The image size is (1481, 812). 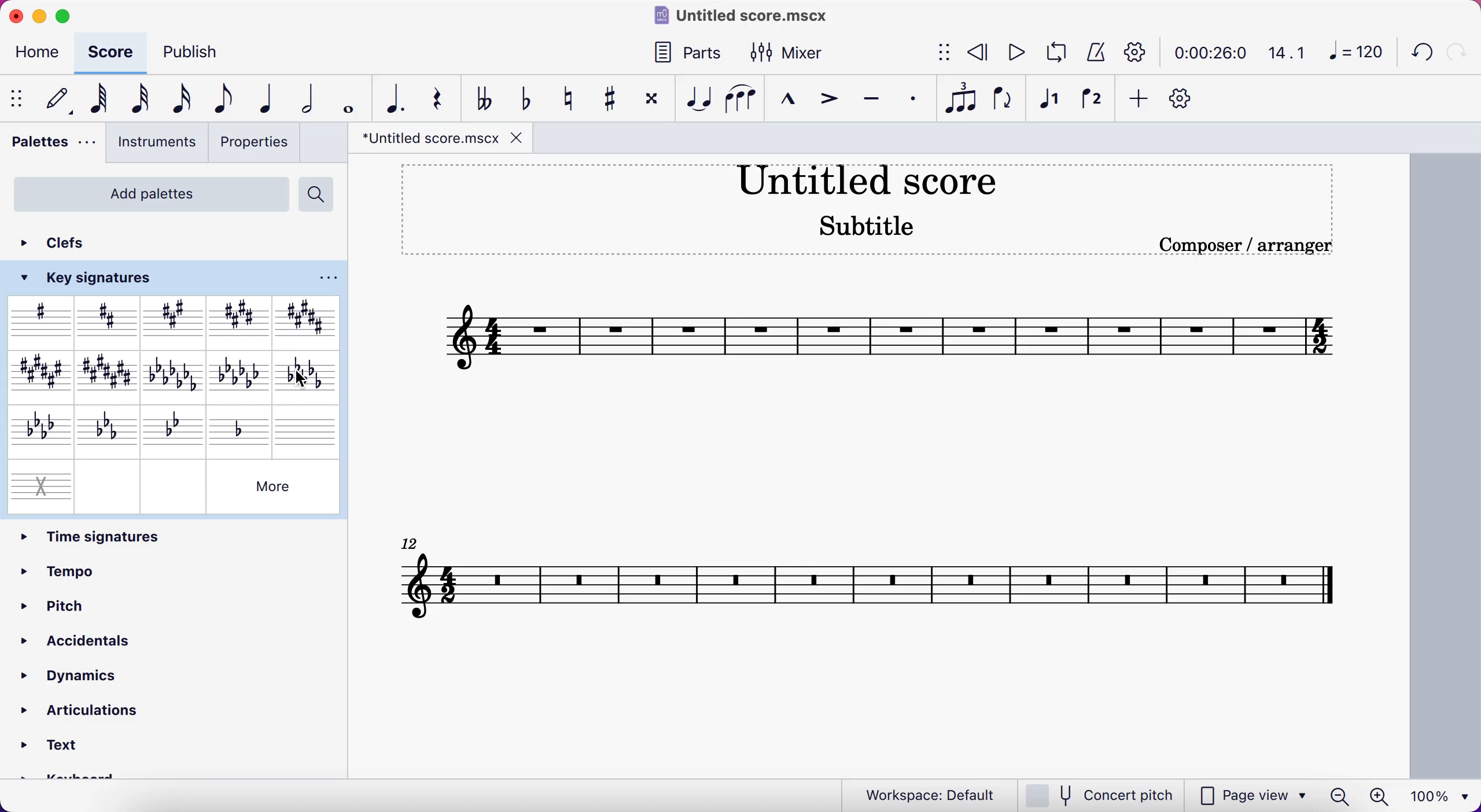 What do you see at coordinates (1140, 98) in the screenshot?
I see `add` at bounding box center [1140, 98].